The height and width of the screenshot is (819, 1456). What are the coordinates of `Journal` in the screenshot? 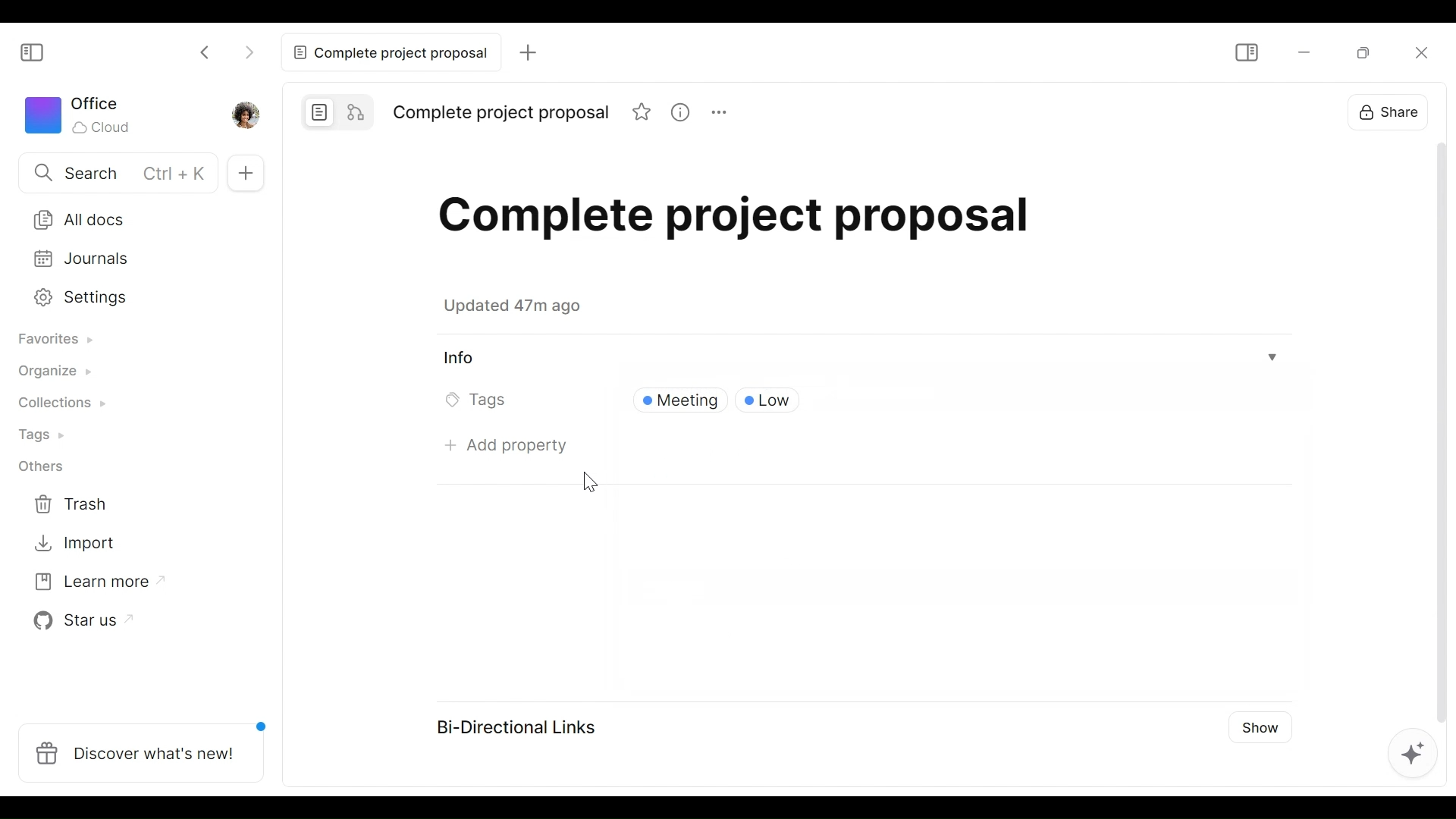 It's located at (128, 260).